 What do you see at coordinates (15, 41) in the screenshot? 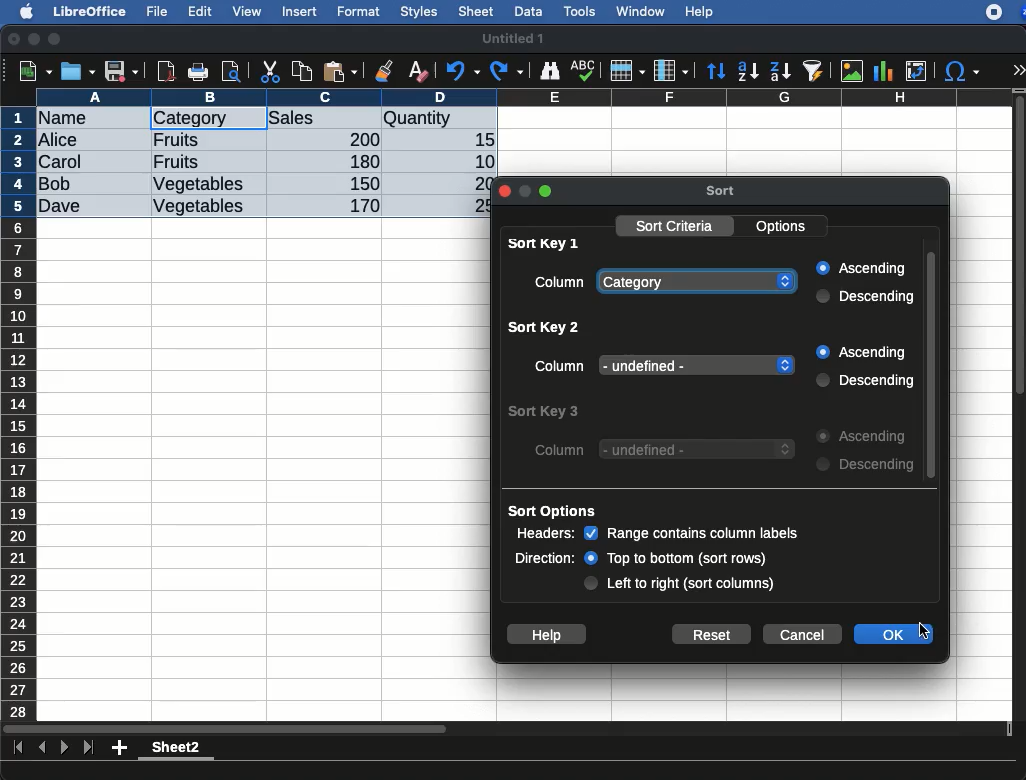
I see `close` at bounding box center [15, 41].